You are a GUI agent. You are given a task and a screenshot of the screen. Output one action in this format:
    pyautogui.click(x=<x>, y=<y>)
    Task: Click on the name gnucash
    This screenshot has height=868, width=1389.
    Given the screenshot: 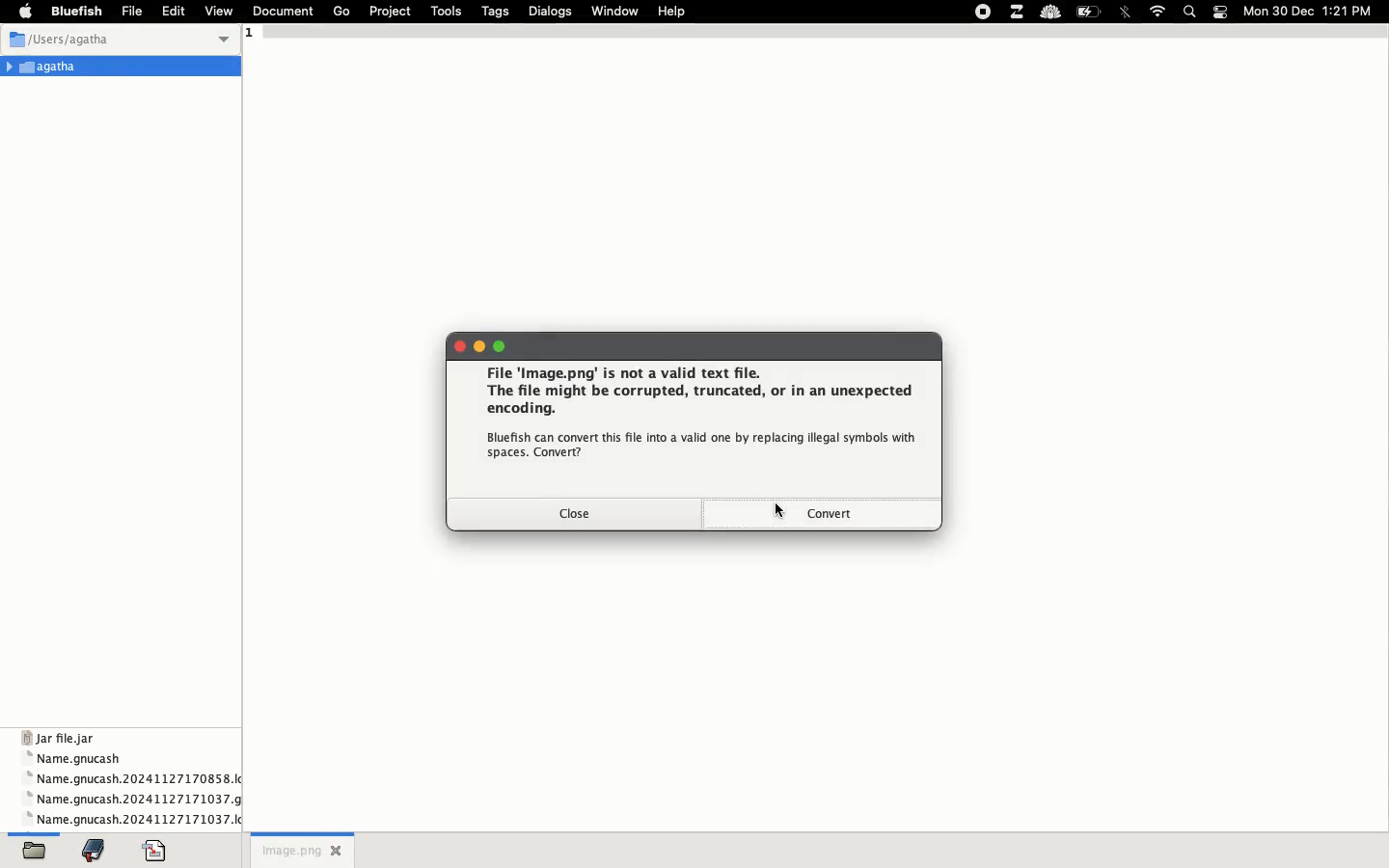 What is the action you would take?
    pyautogui.click(x=73, y=759)
    